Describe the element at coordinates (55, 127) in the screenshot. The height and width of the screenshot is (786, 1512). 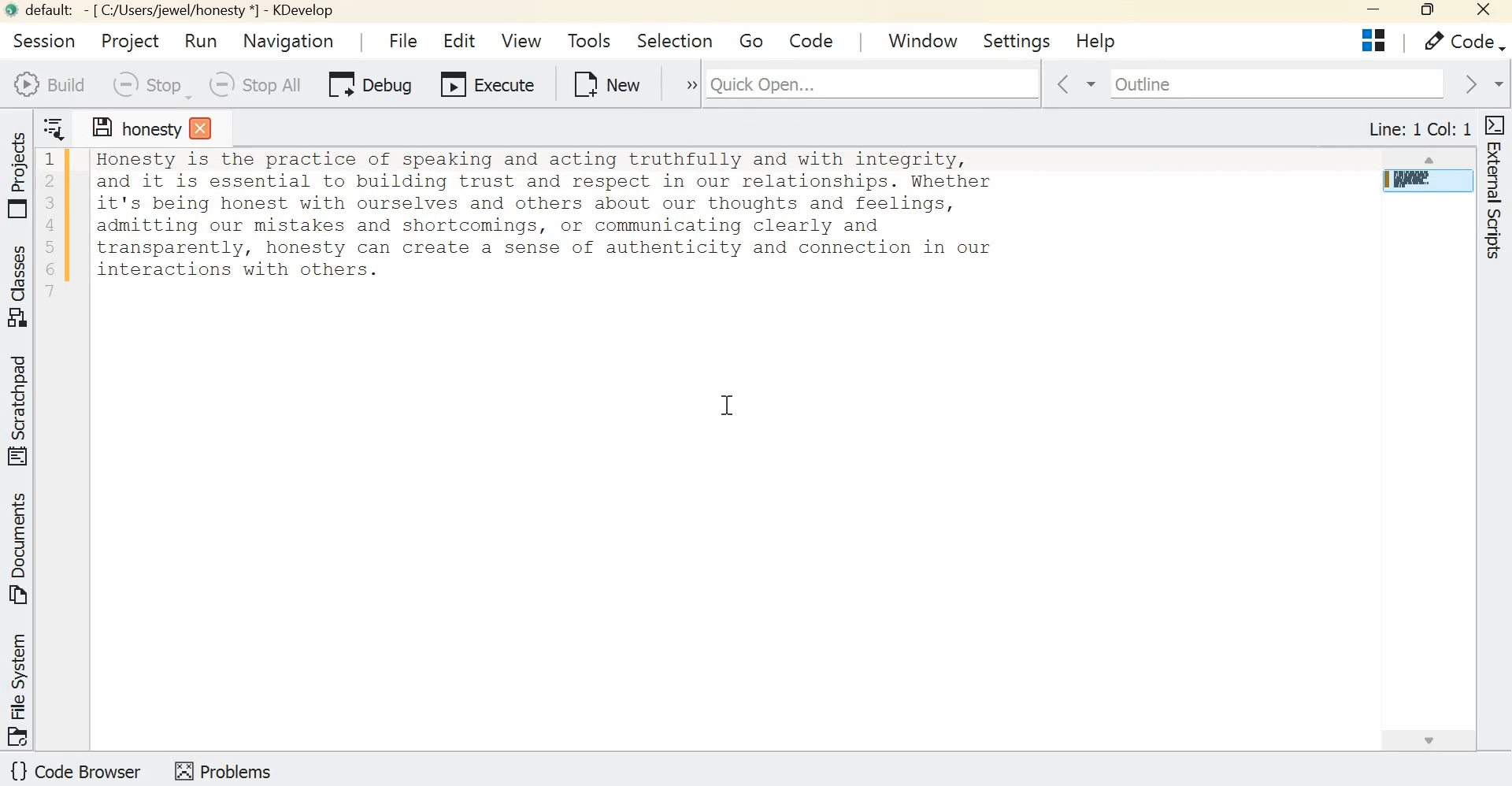
I see `Show sorted list of open documents` at that location.